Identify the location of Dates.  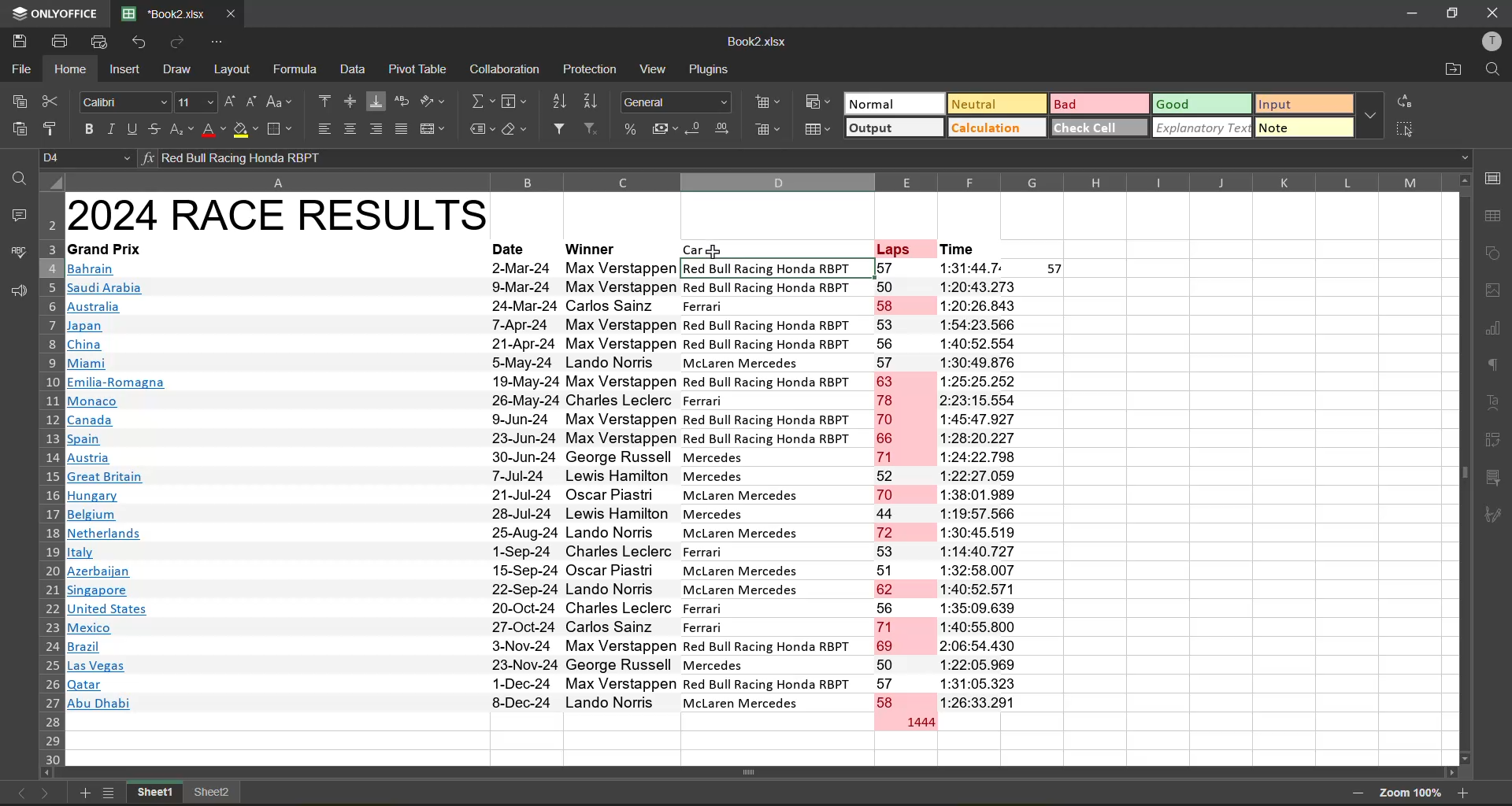
(521, 486).